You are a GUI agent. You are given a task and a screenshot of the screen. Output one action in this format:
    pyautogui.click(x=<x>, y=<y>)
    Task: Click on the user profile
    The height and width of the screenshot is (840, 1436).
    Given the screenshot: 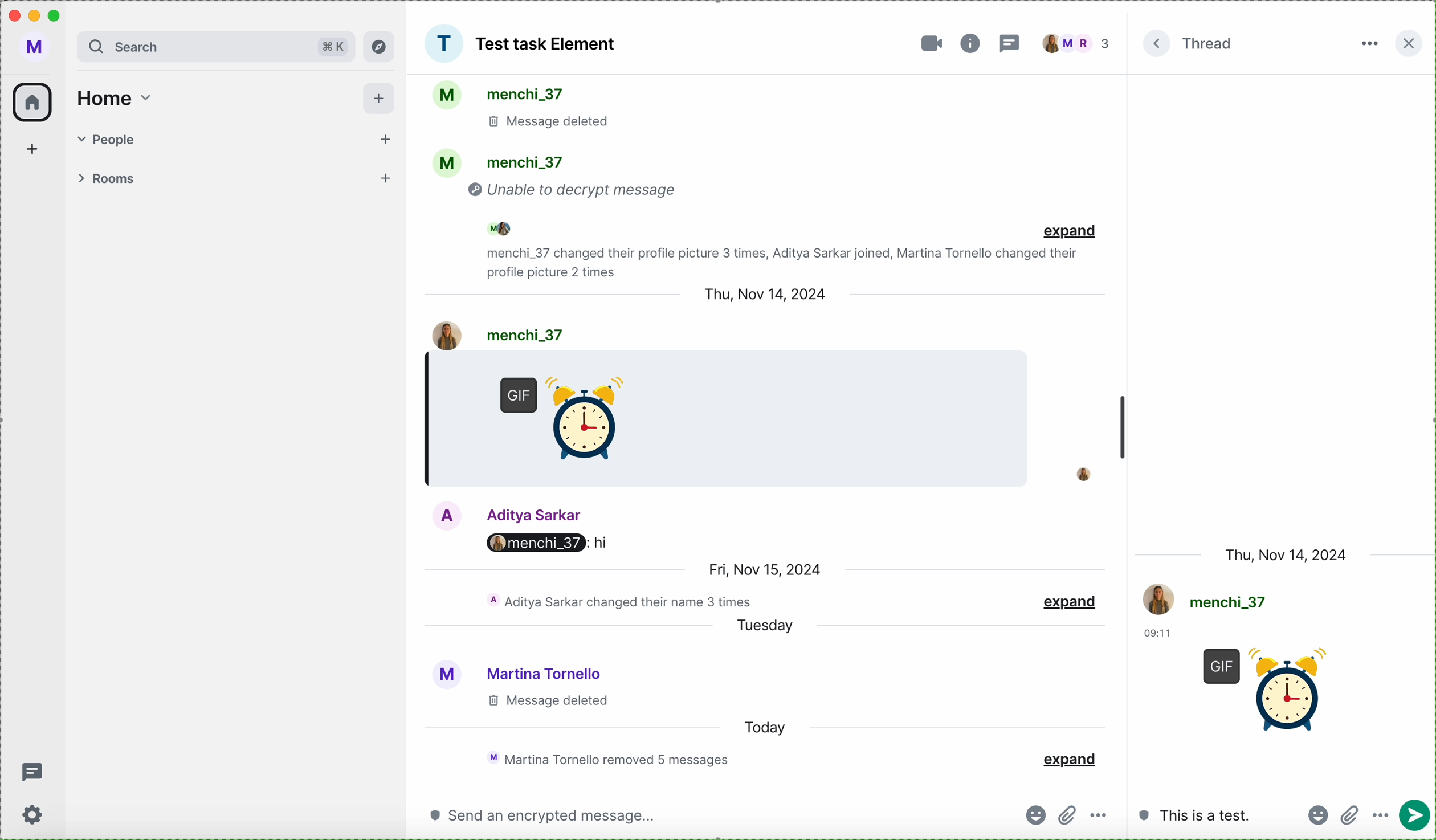 What is the action you would take?
    pyautogui.click(x=38, y=48)
    